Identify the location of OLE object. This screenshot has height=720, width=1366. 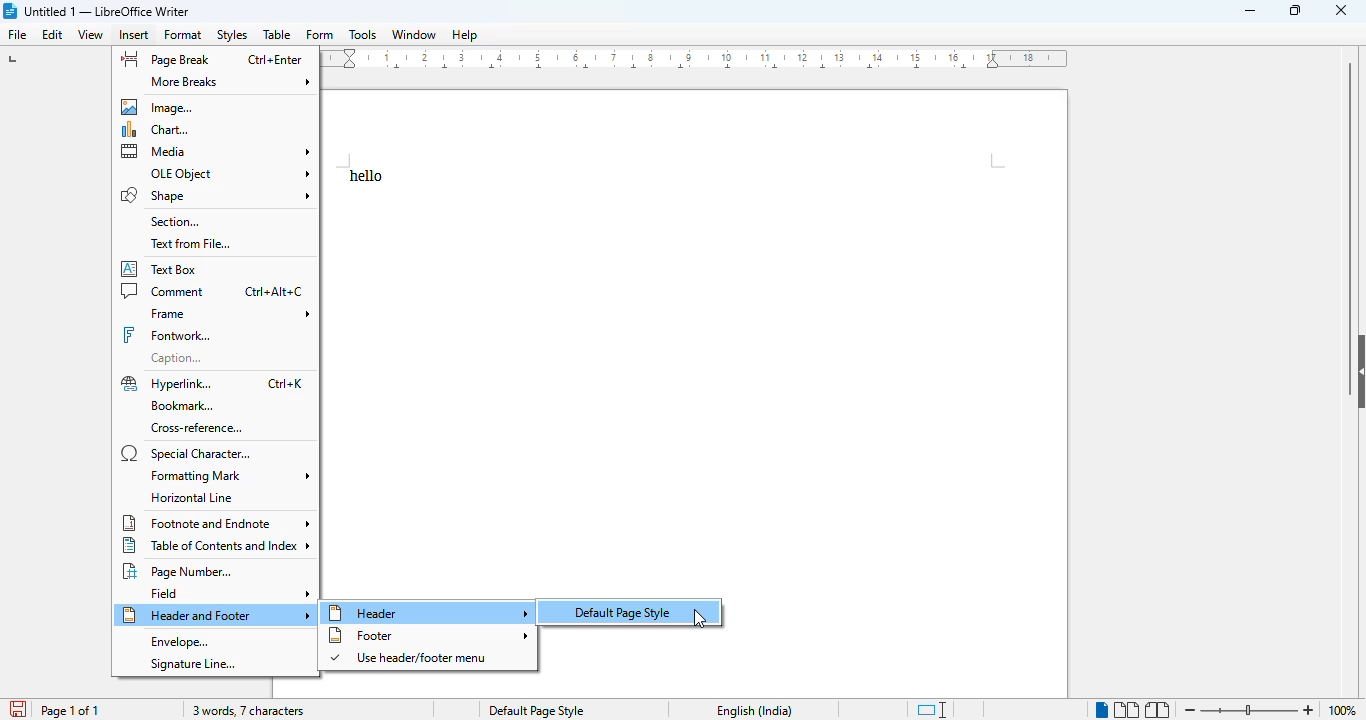
(229, 172).